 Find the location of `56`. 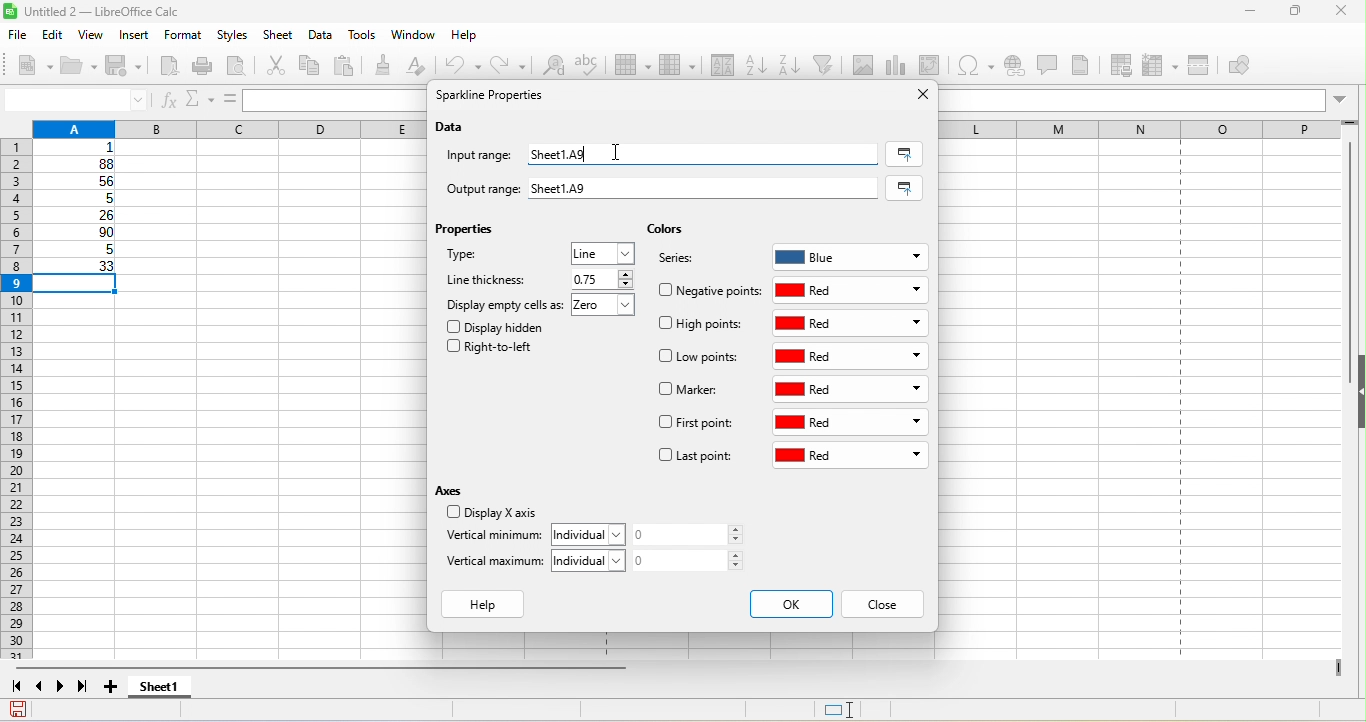

56 is located at coordinates (82, 182).